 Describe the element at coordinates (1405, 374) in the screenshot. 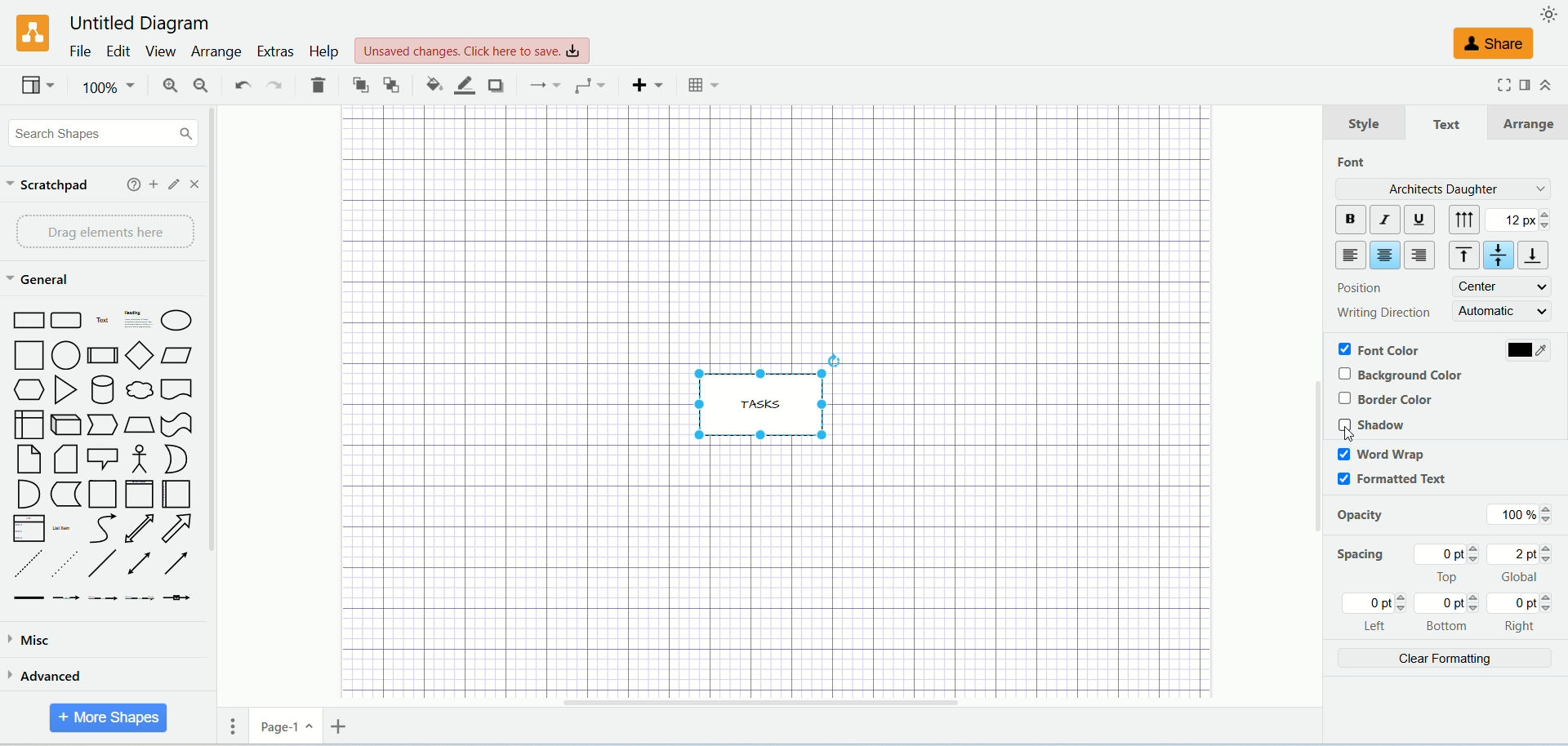

I see `background color` at that location.